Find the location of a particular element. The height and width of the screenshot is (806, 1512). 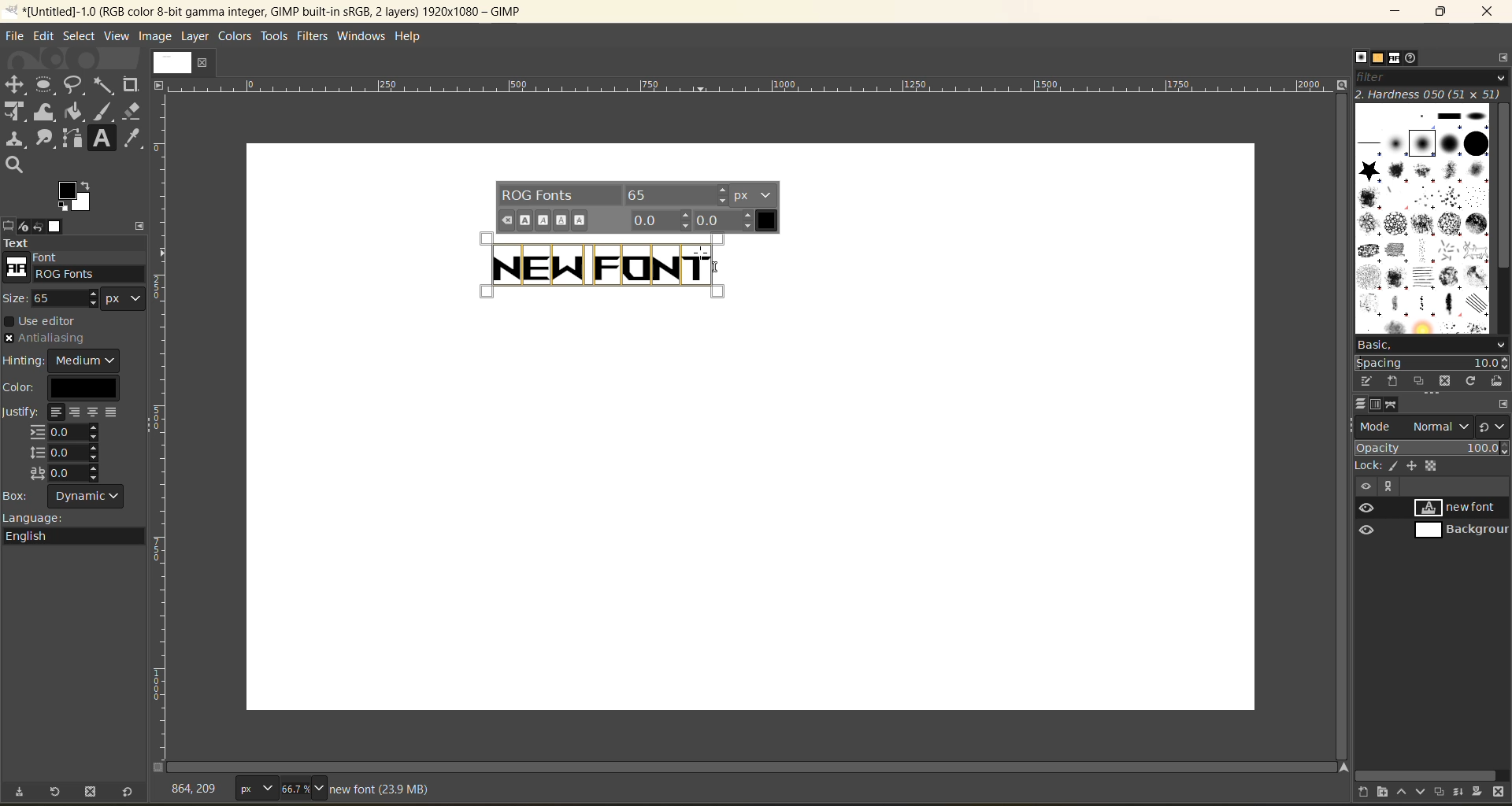

view is located at coordinates (114, 35).